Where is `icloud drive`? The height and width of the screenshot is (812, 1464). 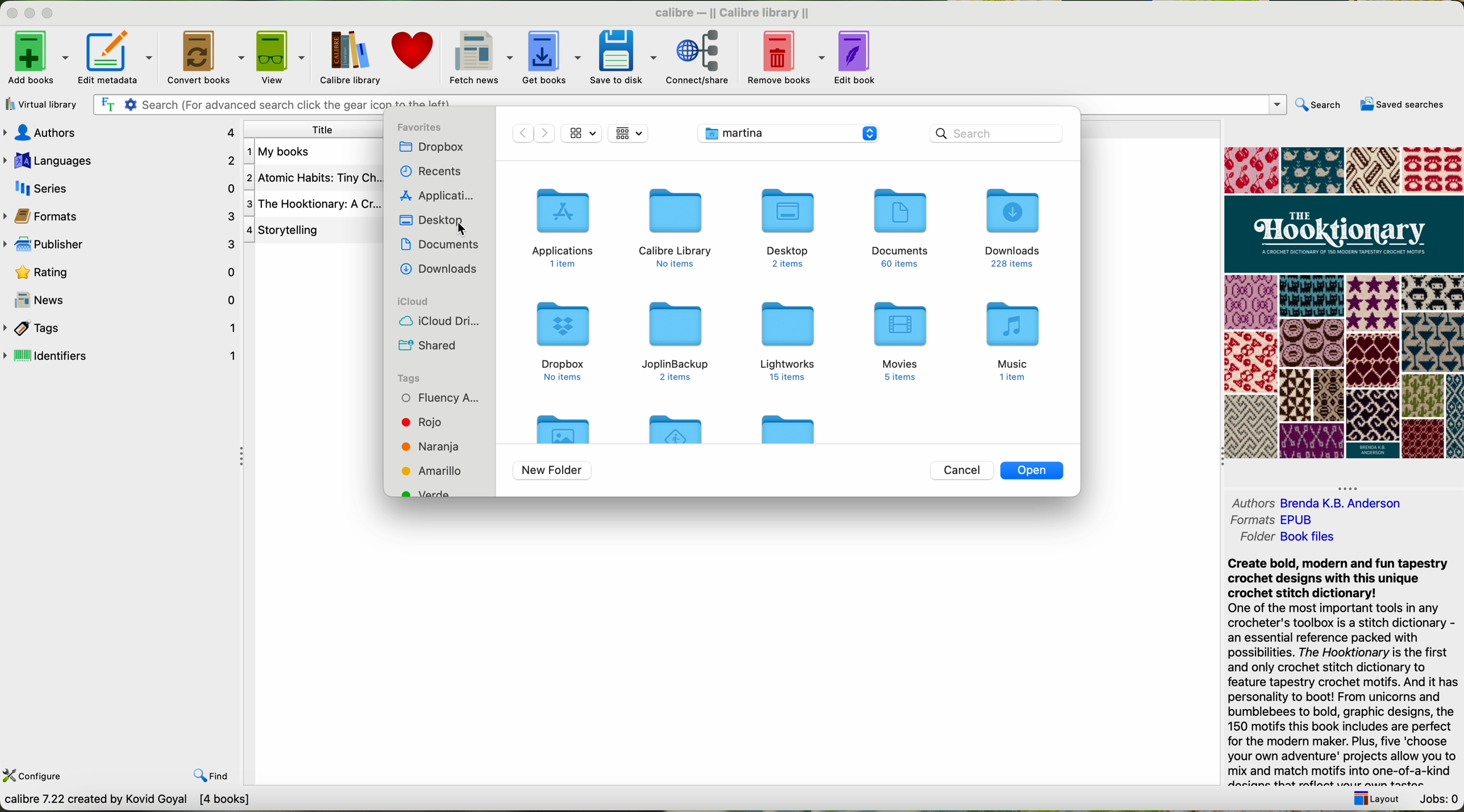
icloud drive is located at coordinates (444, 324).